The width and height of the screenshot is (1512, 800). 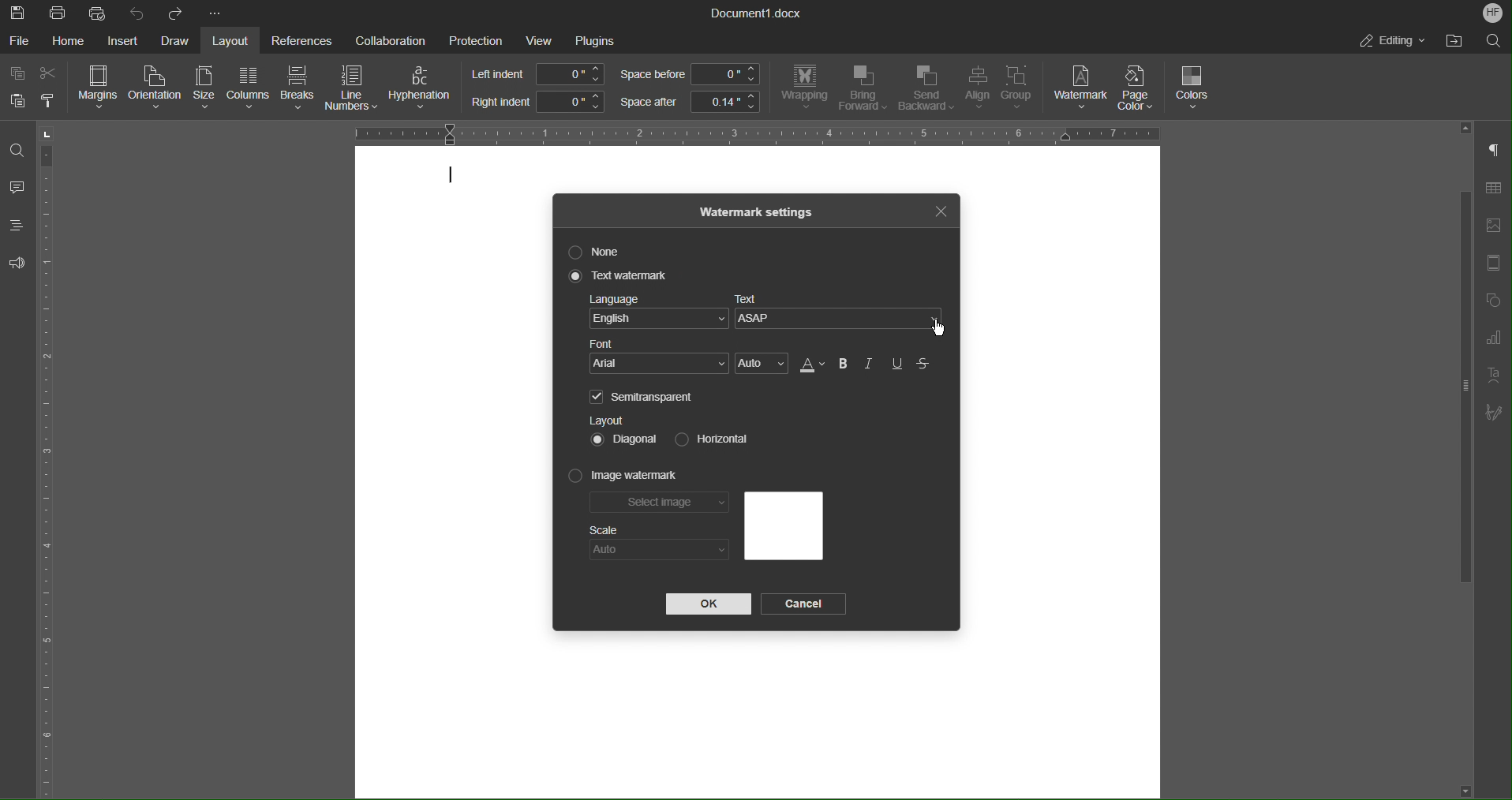 What do you see at coordinates (604, 530) in the screenshot?
I see `Scale` at bounding box center [604, 530].